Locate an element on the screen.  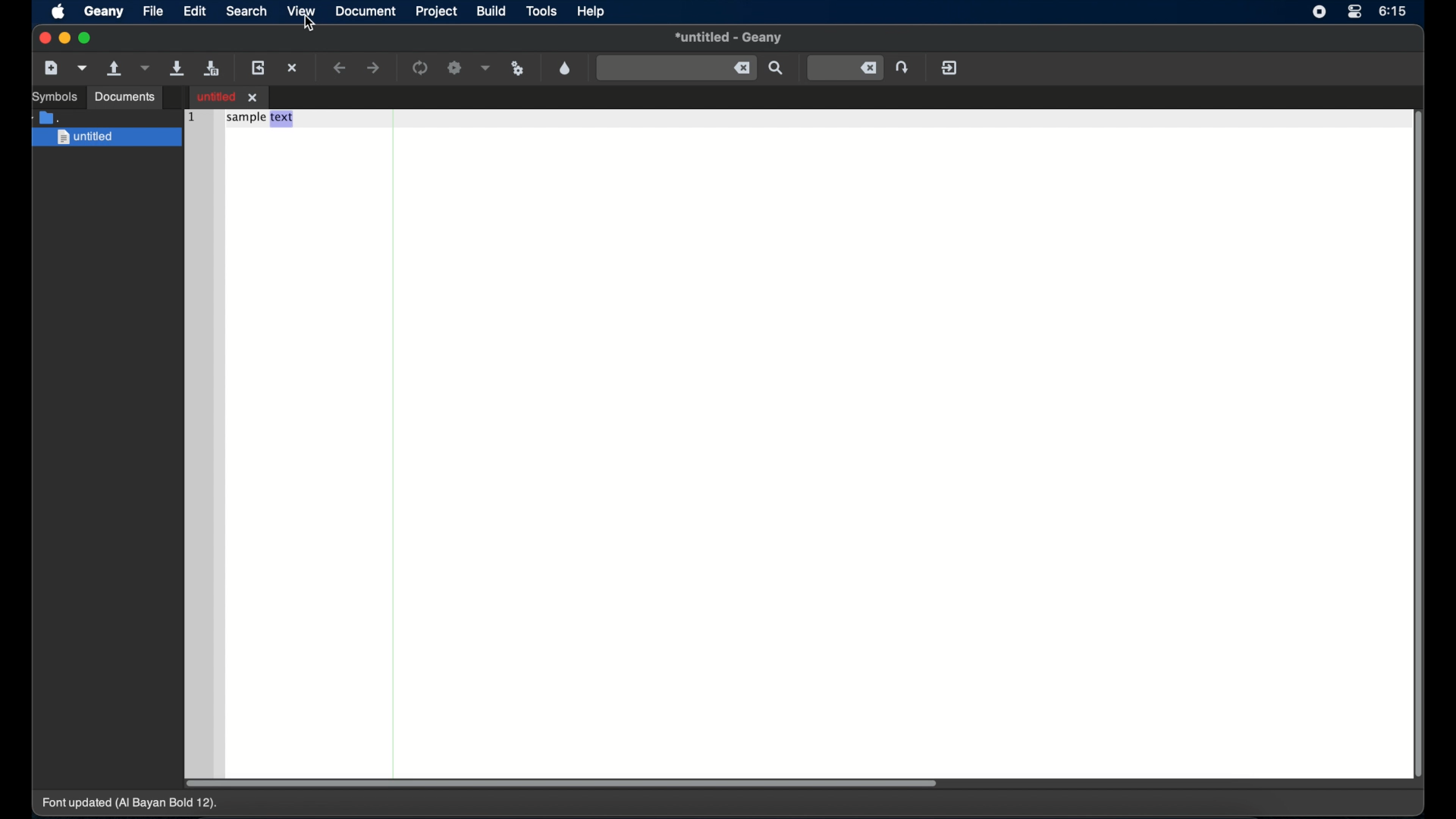
save the current file is located at coordinates (177, 67).